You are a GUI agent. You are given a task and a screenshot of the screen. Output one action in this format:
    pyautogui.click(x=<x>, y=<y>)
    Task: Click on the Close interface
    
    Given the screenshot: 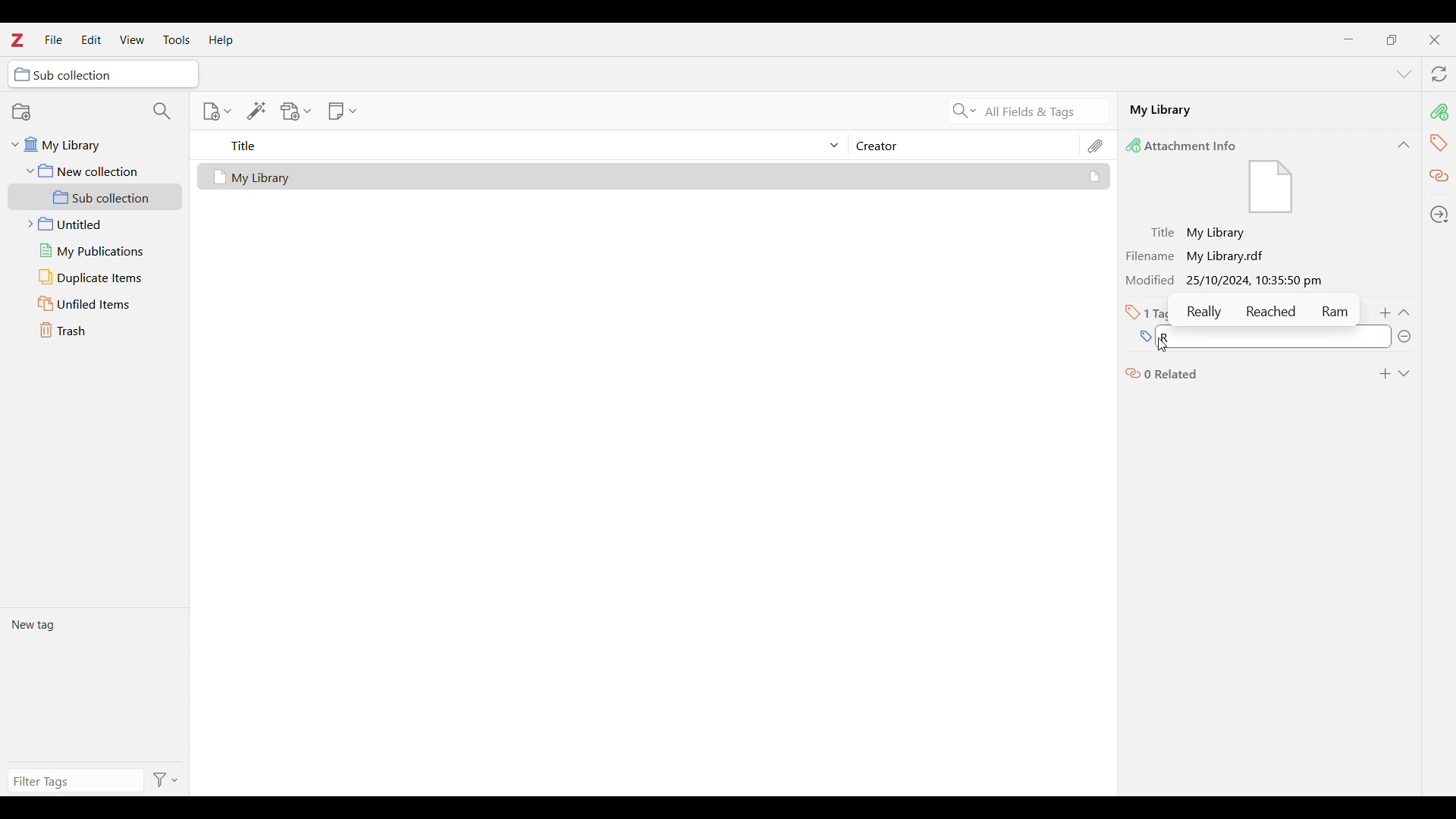 What is the action you would take?
    pyautogui.click(x=1434, y=39)
    